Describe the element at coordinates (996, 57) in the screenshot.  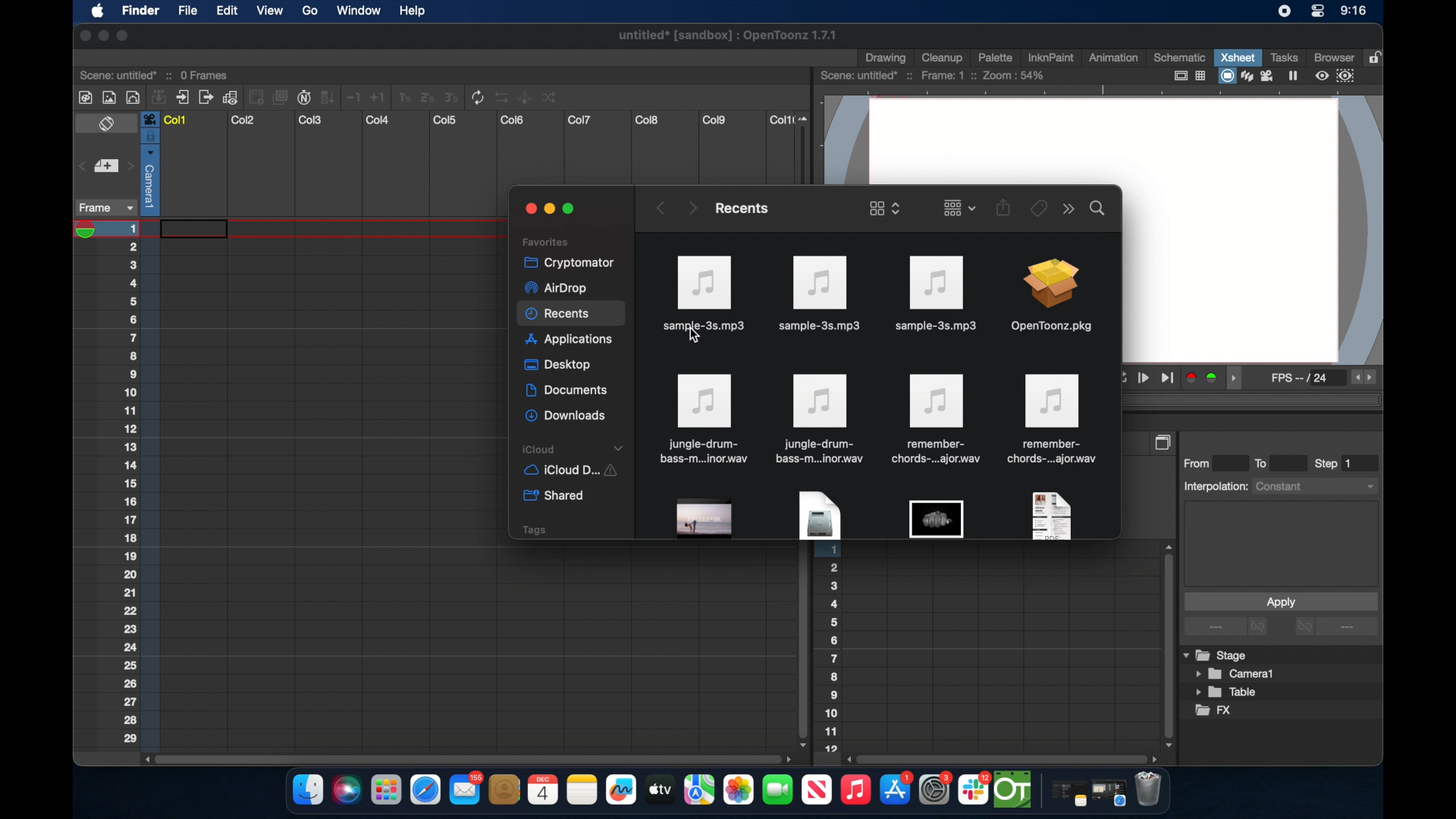
I see `palette` at that location.